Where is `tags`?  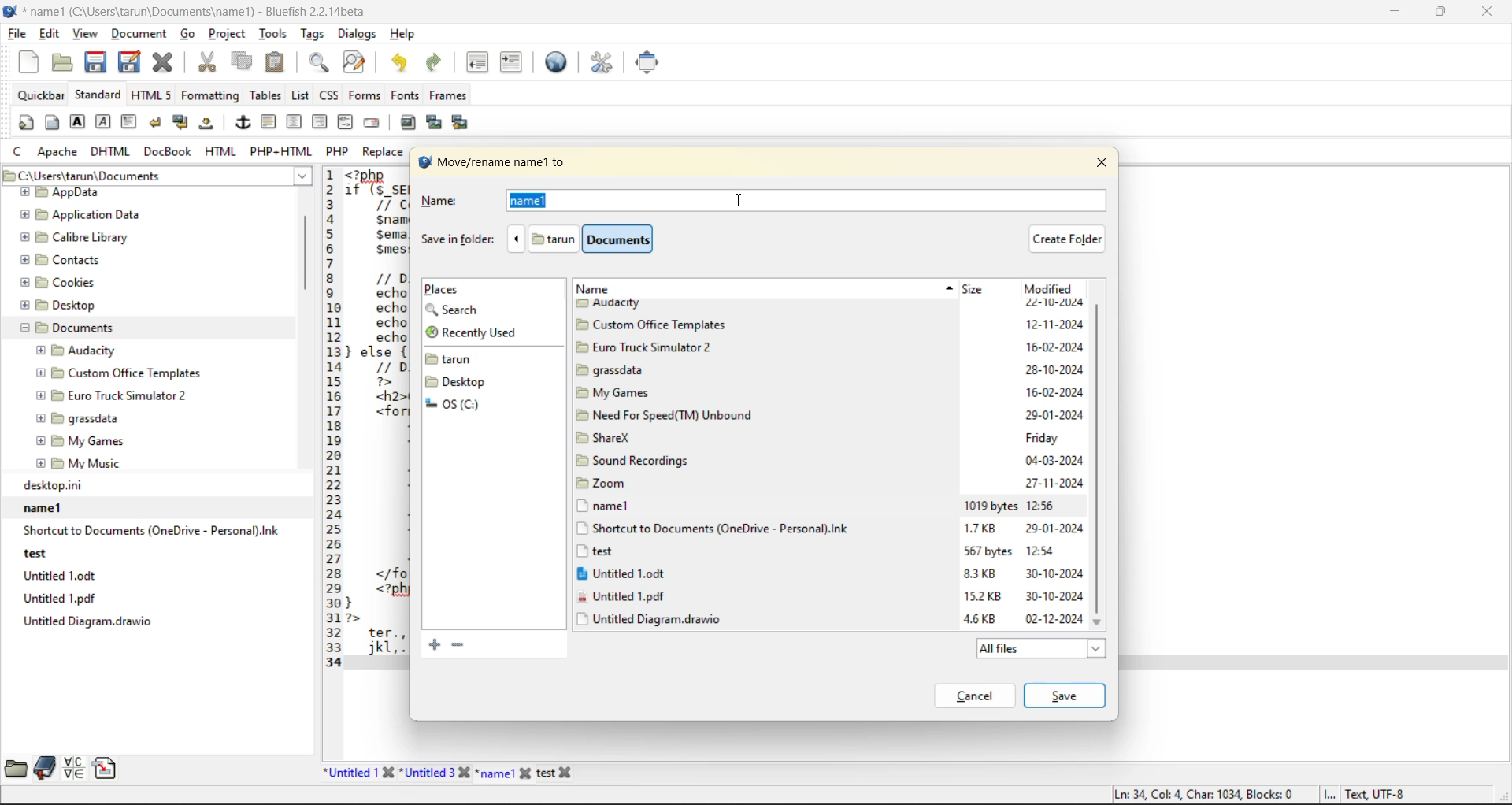
tags is located at coordinates (313, 33).